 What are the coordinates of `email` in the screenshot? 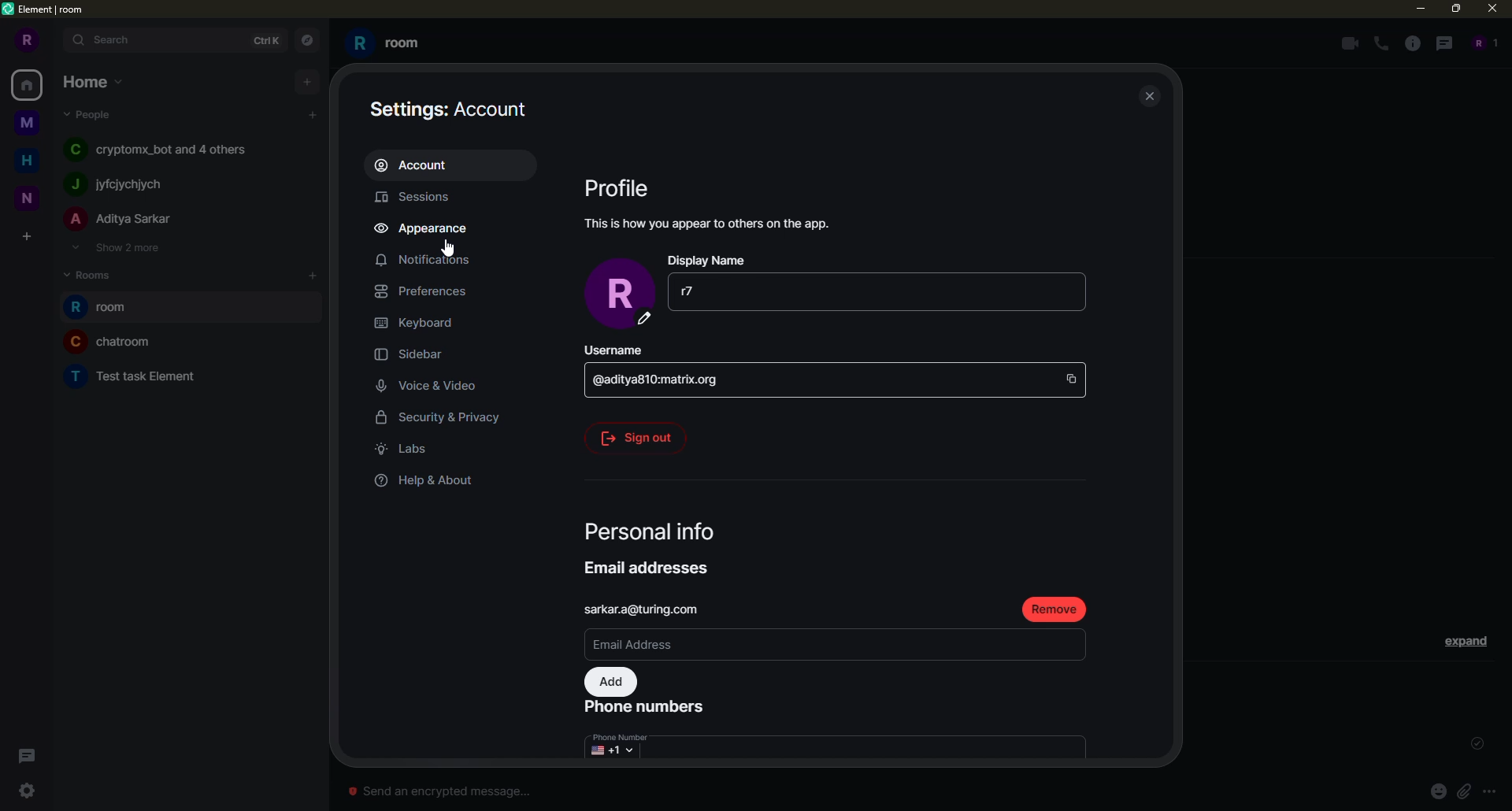 It's located at (643, 646).